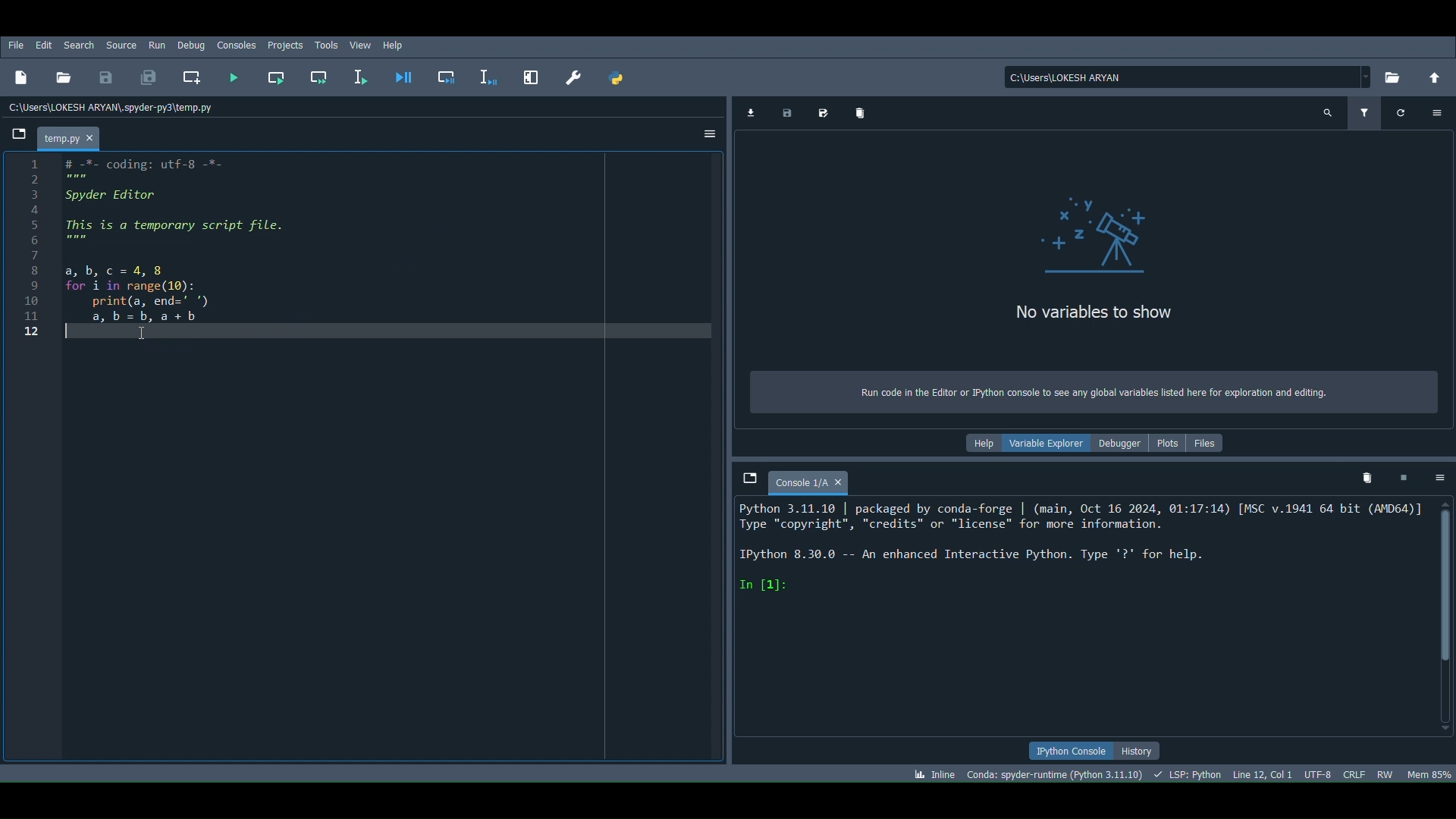  What do you see at coordinates (1104, 234) in the screenshot?
I see `icon` at bounding box center [1104, 234].